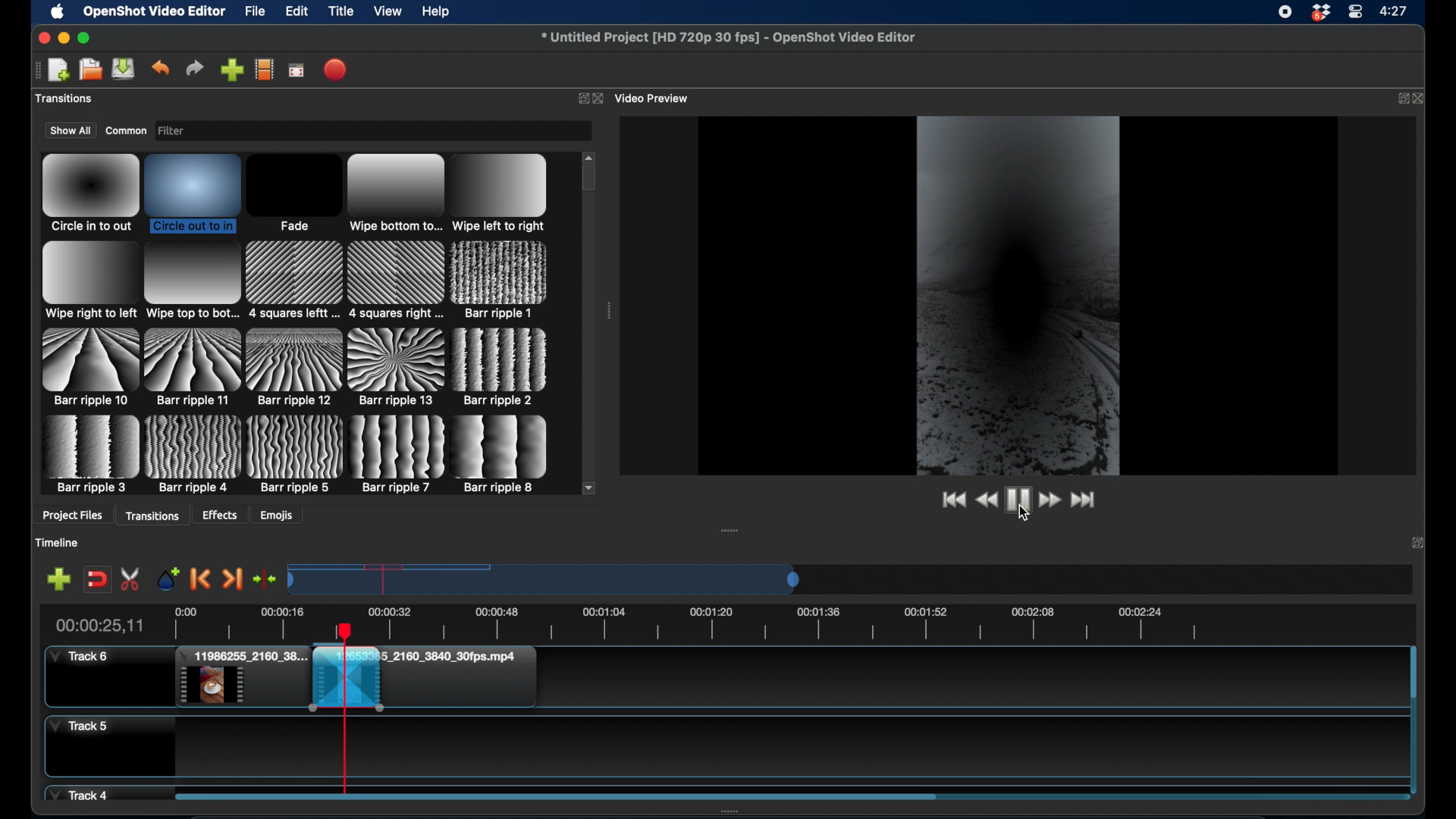  What do you see at coordinates (293, 193) in the screenshot?
I see `transition` at bounding box center [293, 193].